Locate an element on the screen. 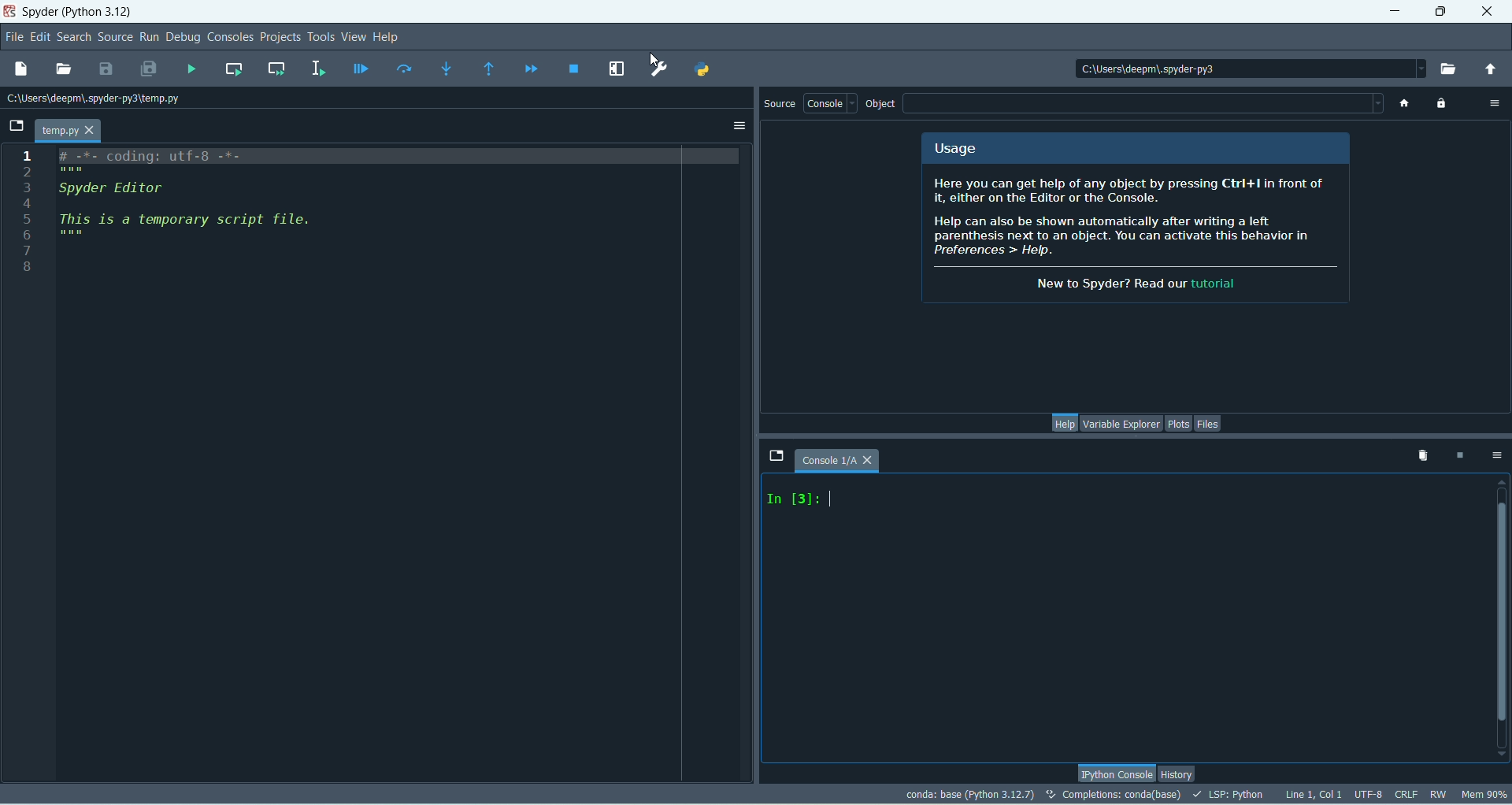 The height and width of the screenshot is (805, 1512). Mem is located at coordinates (1484, 796).